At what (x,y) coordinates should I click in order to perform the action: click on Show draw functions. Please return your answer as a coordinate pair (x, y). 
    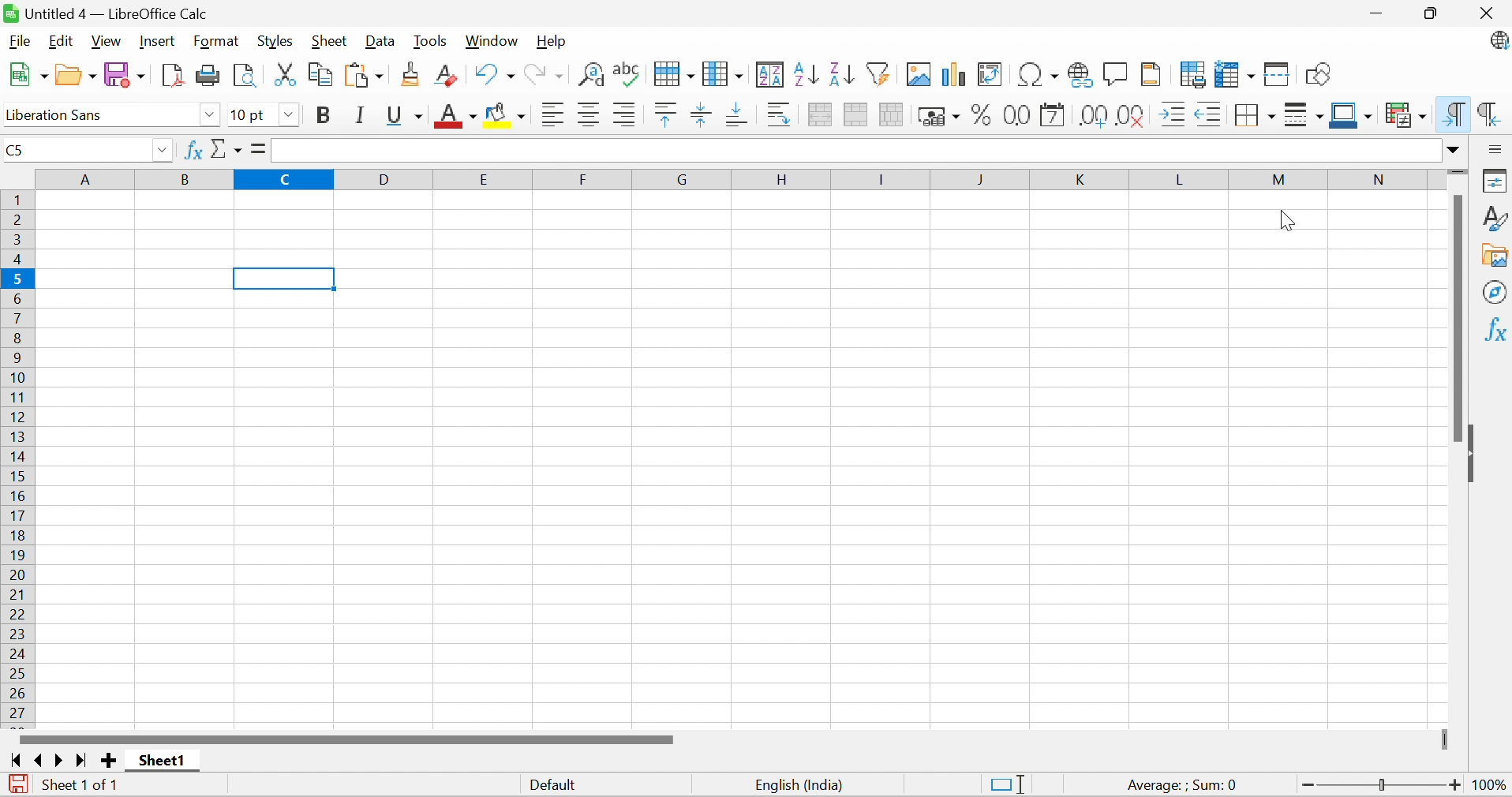
    Looking at the image, I should click on (1320, 73).